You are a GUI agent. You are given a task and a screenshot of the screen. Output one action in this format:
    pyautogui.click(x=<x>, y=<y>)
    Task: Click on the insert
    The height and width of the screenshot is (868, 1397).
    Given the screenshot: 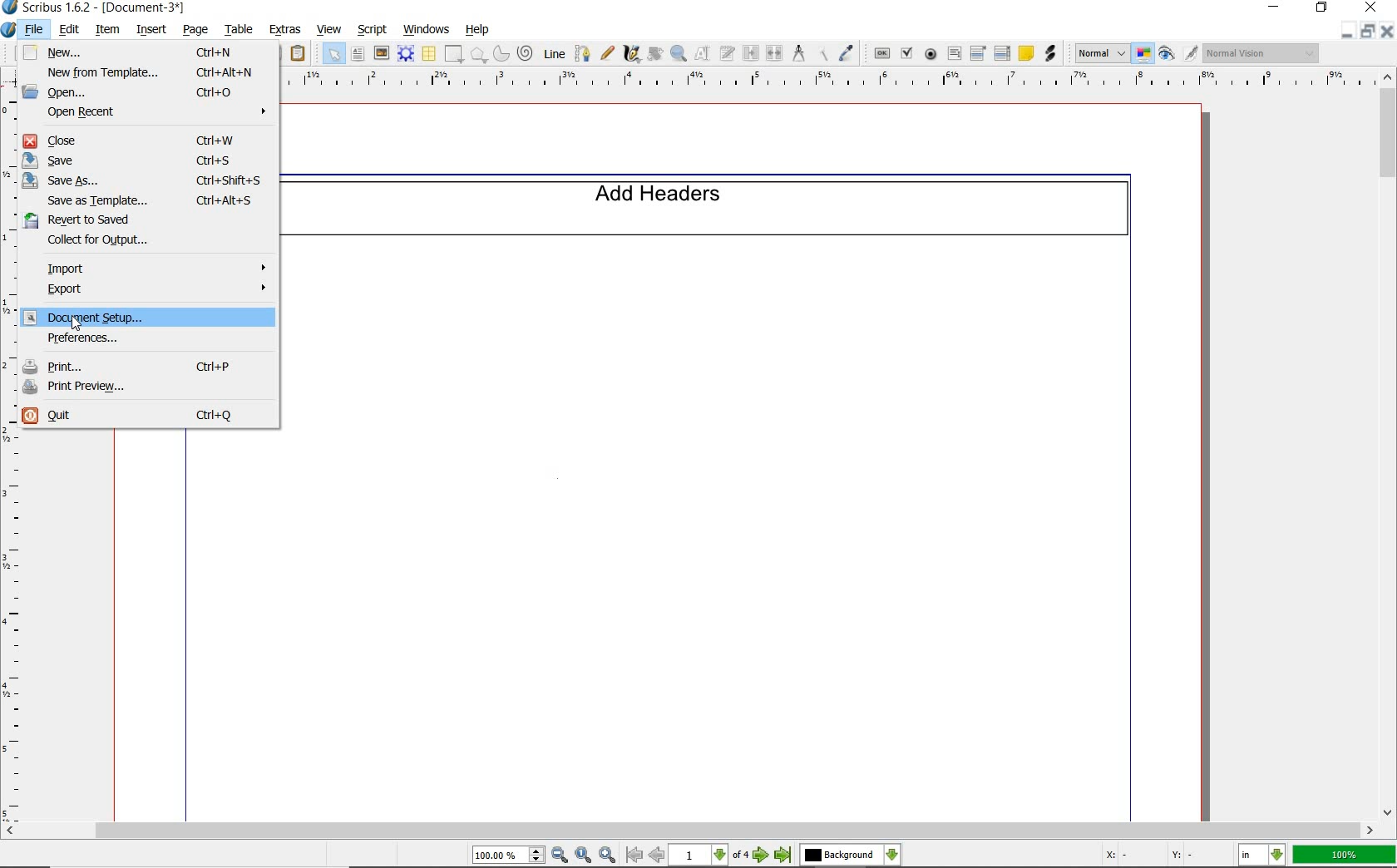 What is the action you would take?
    pyautogui.click(x=151, y=28)
    